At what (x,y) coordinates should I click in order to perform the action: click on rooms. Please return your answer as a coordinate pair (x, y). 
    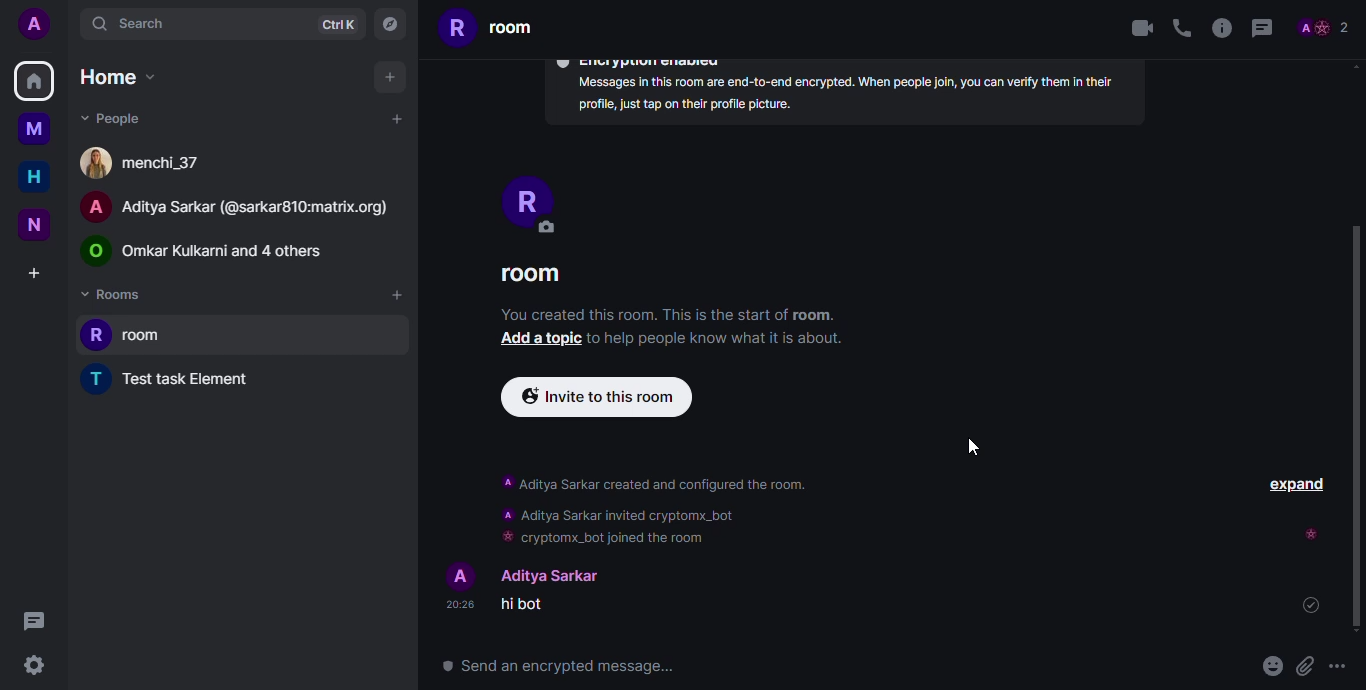
    Looking at the image, I should click on (115, 294).